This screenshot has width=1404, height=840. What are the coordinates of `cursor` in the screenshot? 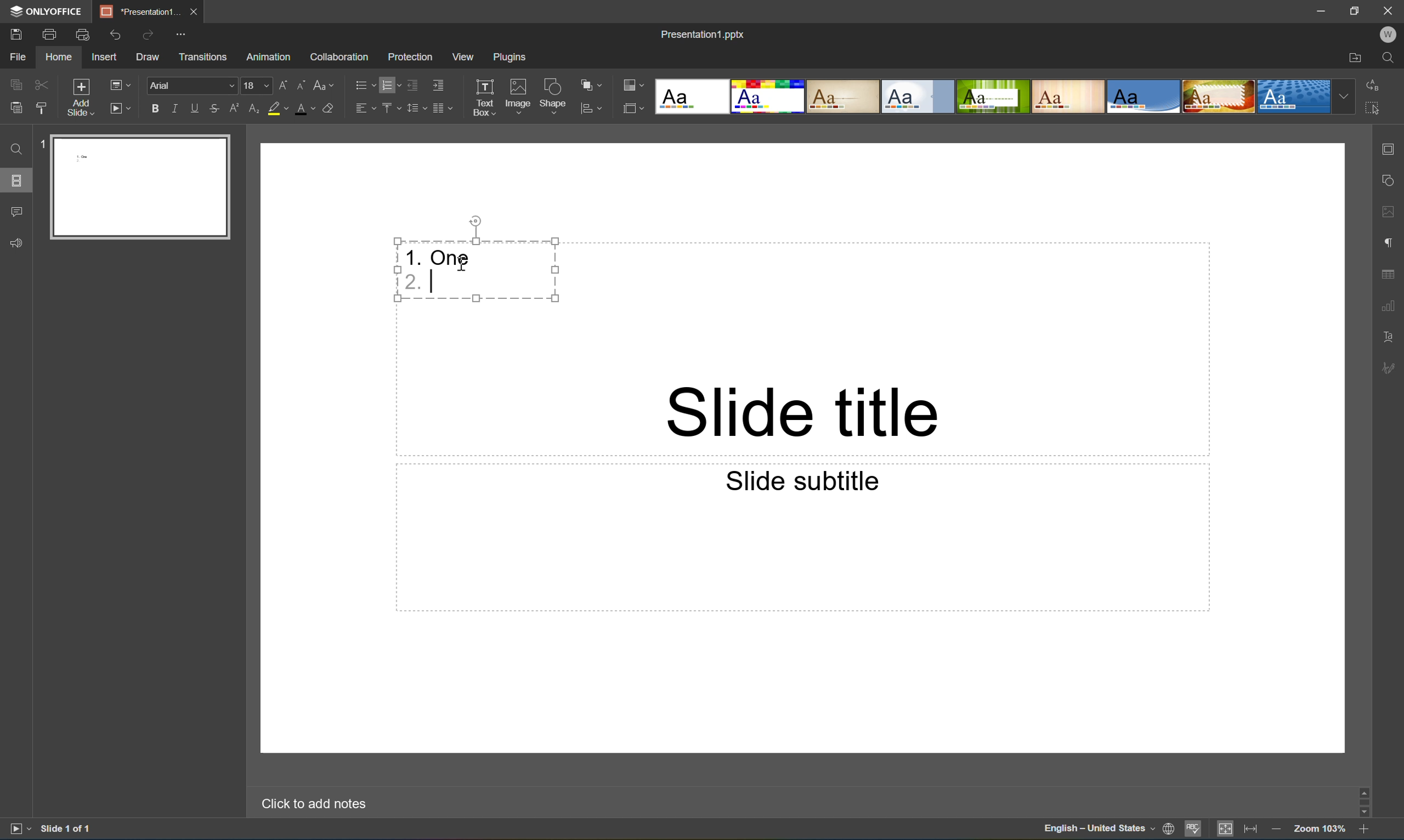 It's located at (463, 266).